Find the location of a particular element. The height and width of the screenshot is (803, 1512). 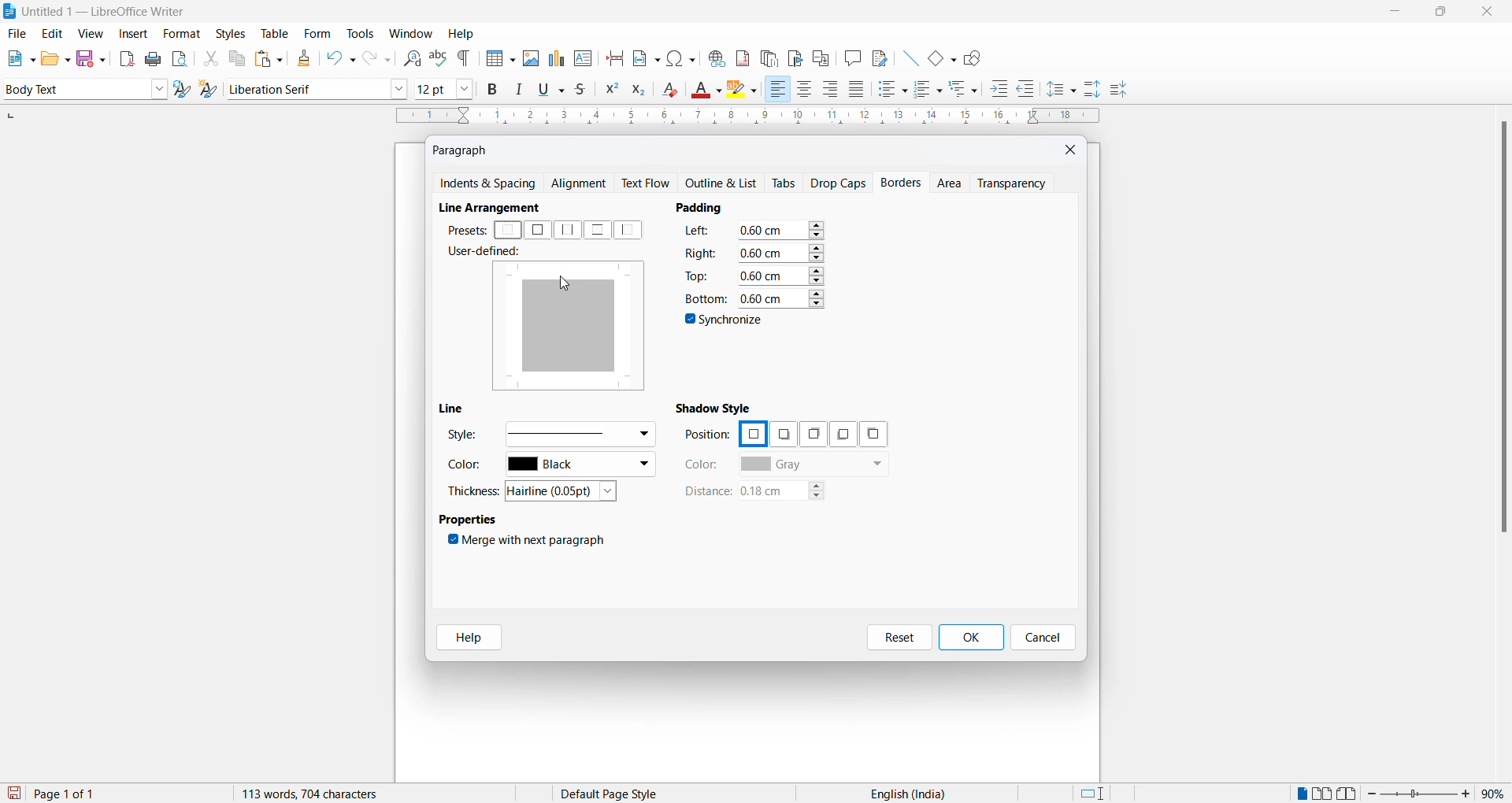

page style is located at coordinates (615, 794).